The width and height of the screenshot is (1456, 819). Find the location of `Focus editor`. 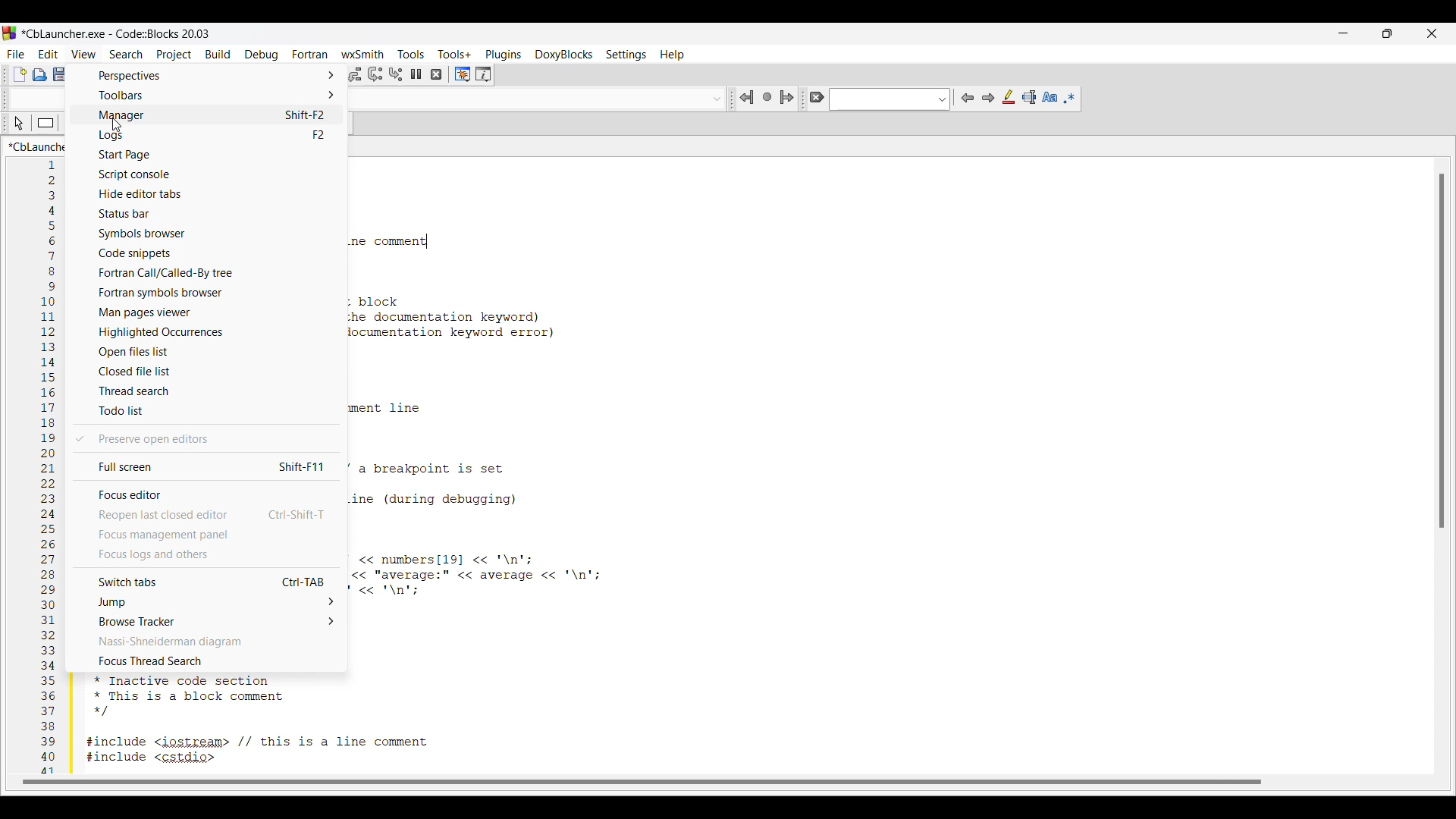

Focus editor is located at coordinates (206, 494).